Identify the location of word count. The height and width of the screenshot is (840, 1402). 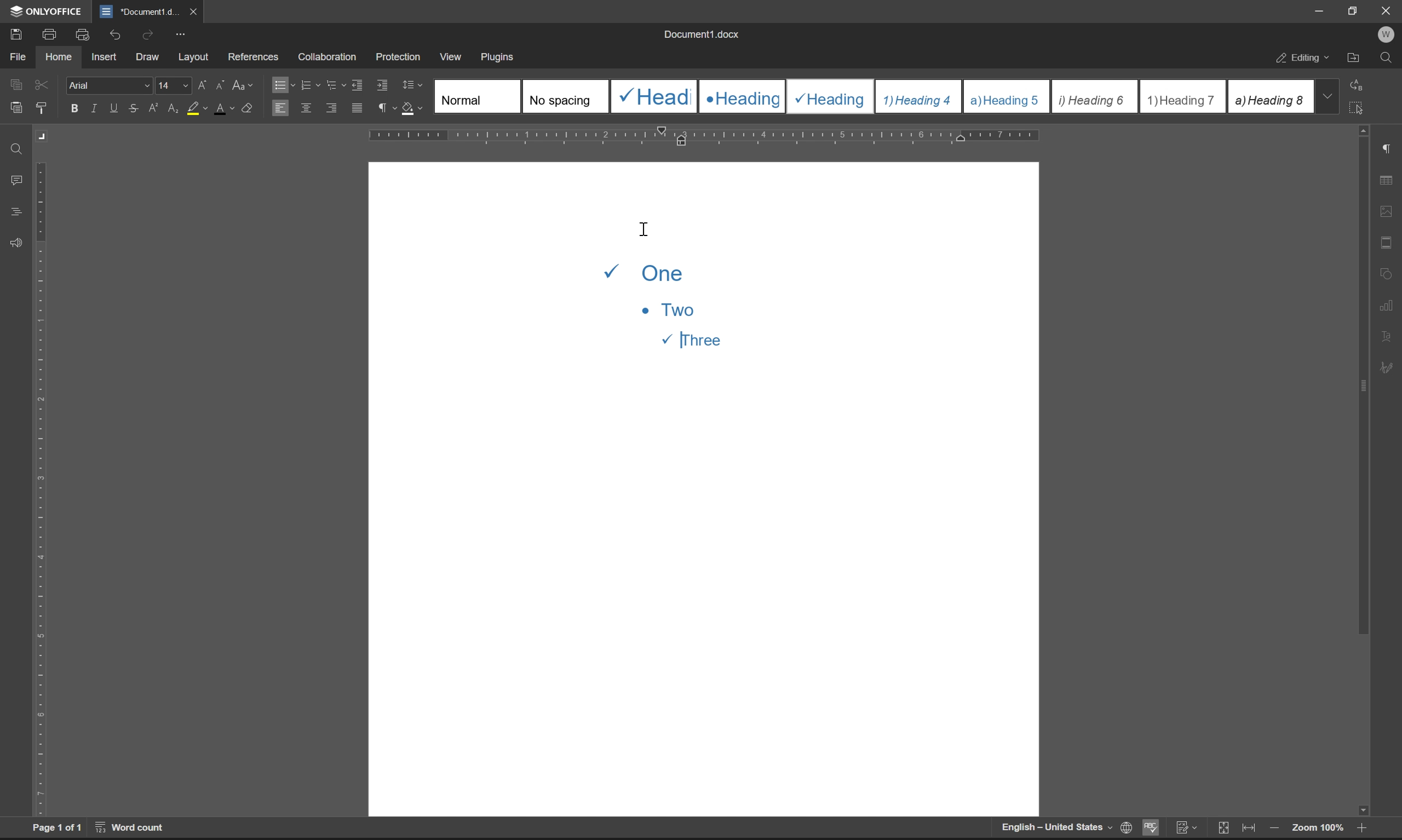
(131, 827).